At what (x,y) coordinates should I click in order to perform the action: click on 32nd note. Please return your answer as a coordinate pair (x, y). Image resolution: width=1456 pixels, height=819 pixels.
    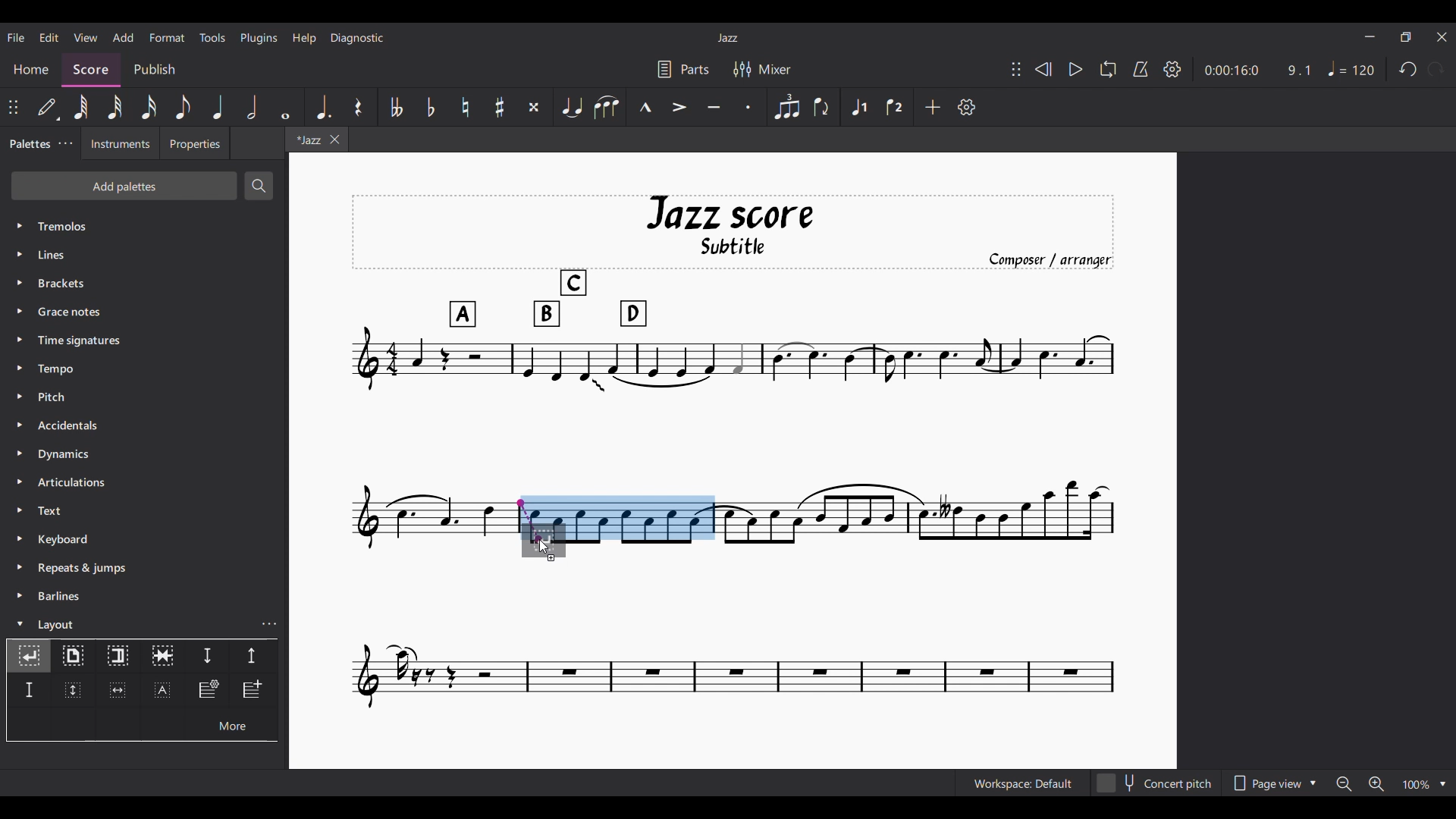
    Looking at the image, I should click on (115, 107).